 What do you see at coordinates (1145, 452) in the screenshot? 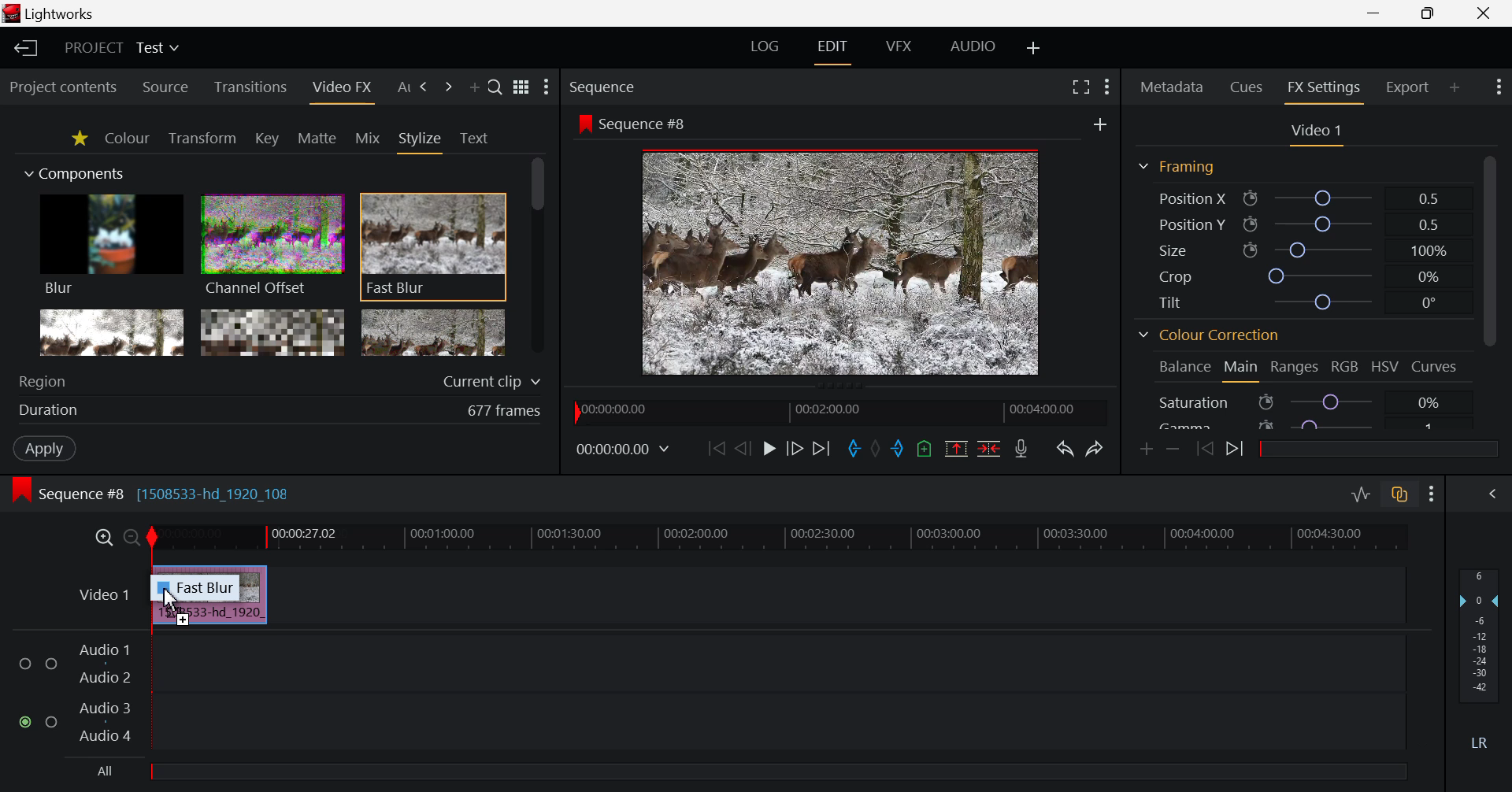
I see `Add keyframe` at bounding box center [1145, 452].